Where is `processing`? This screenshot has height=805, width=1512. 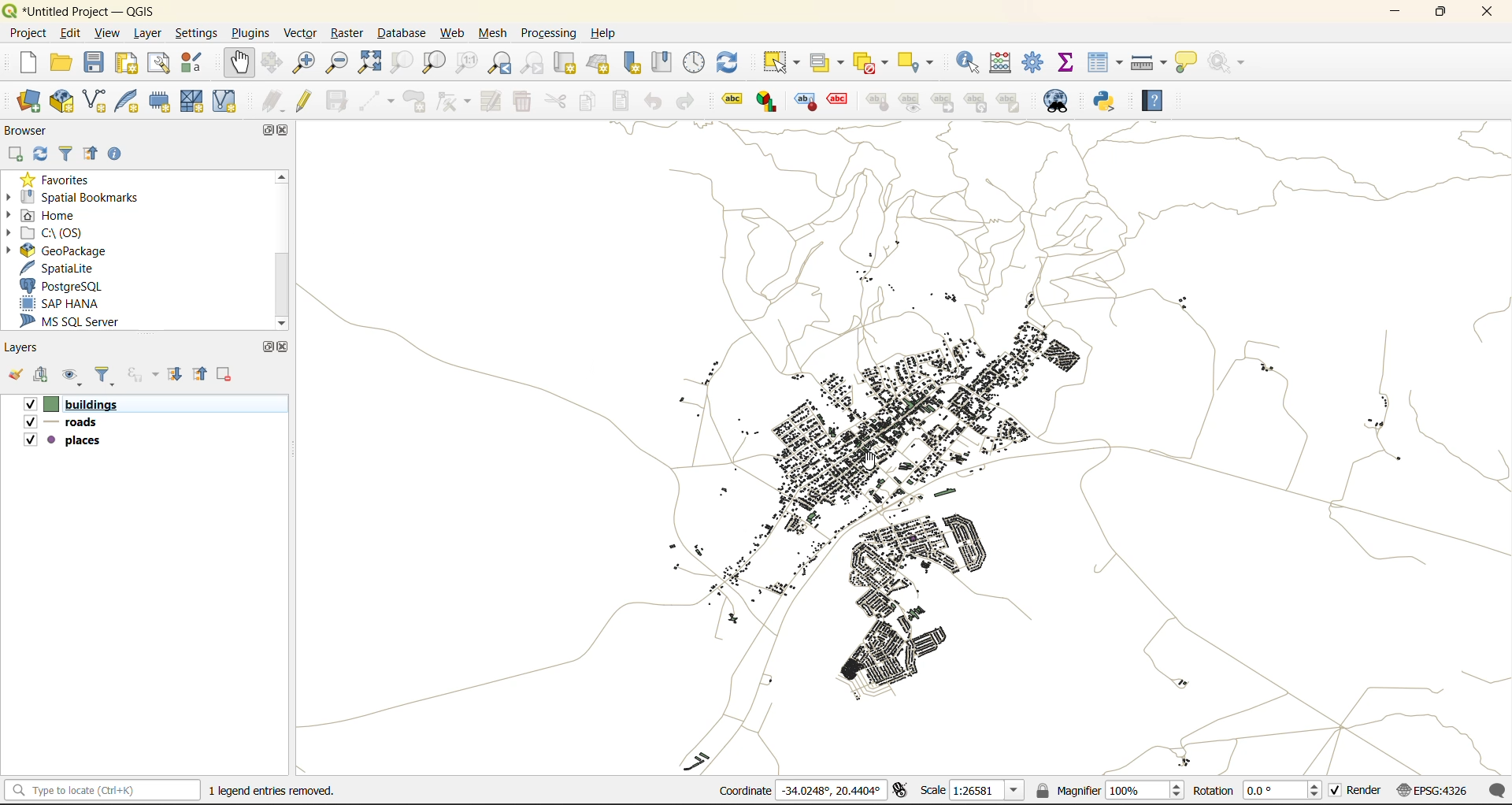
processing is located at coordinates (548, 34).